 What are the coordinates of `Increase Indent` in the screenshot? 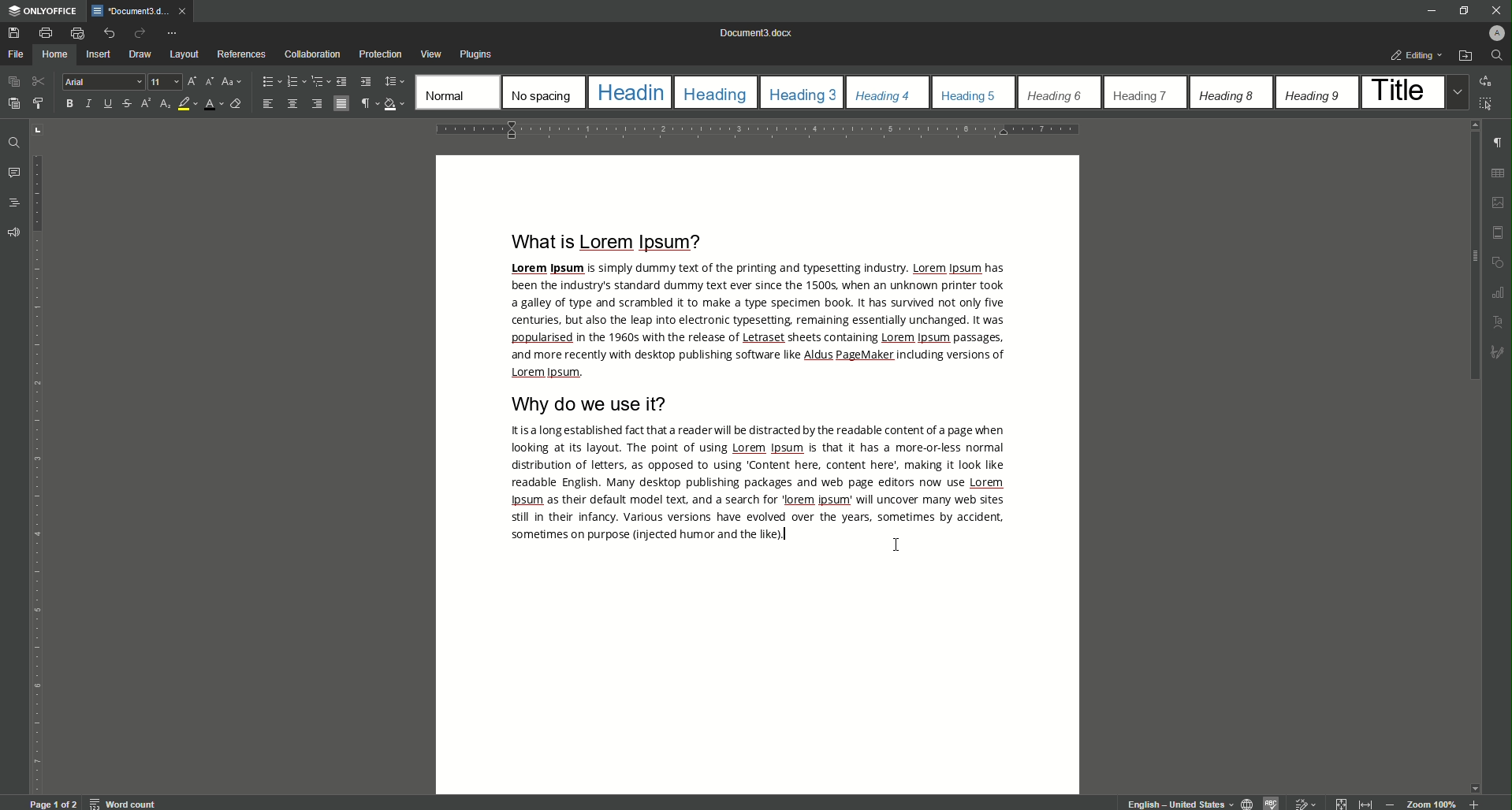 It's located at (368, 81).